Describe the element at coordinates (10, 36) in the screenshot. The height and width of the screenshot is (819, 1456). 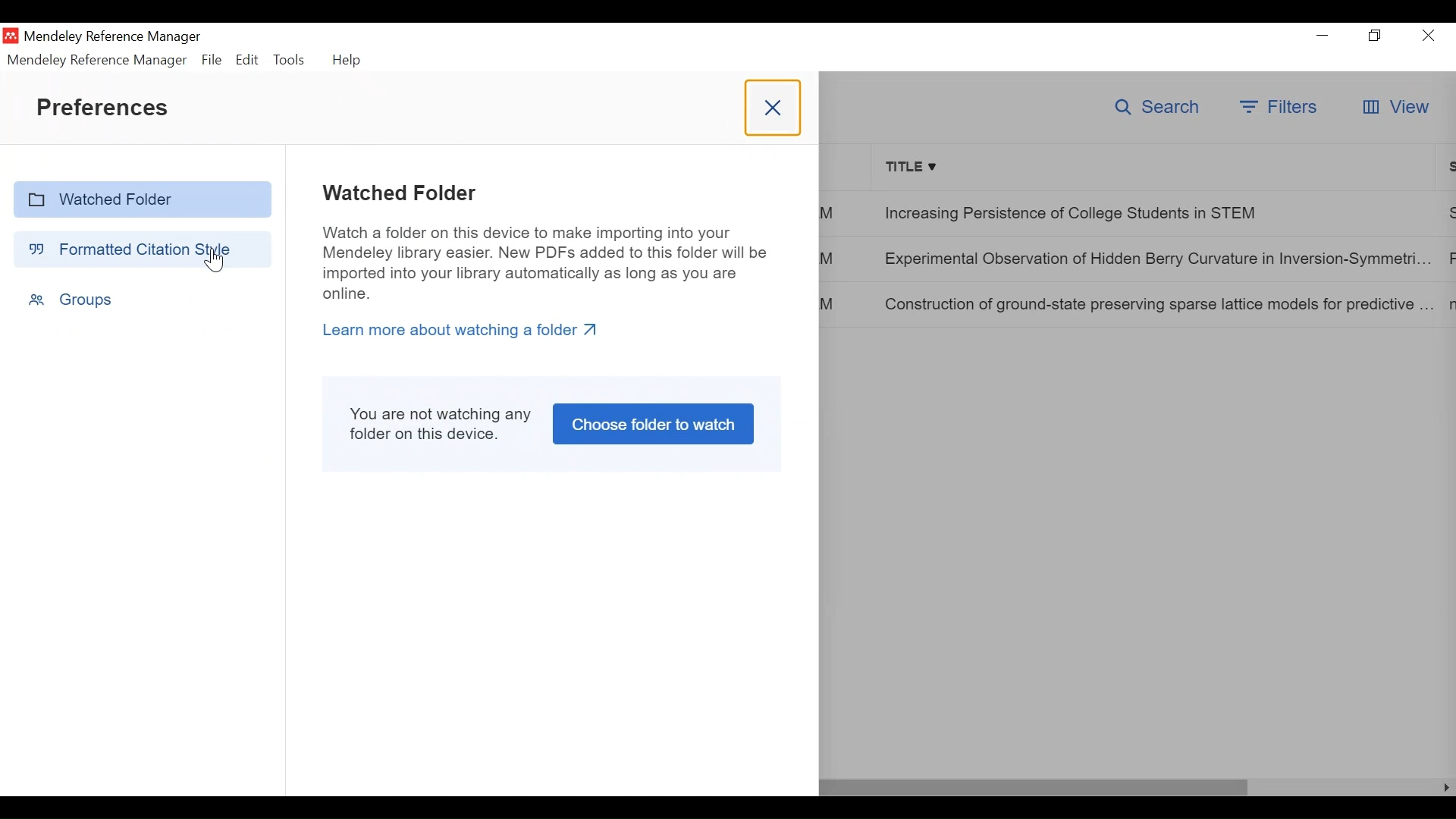
I see `Mendeley Desktop Icon` at that location.